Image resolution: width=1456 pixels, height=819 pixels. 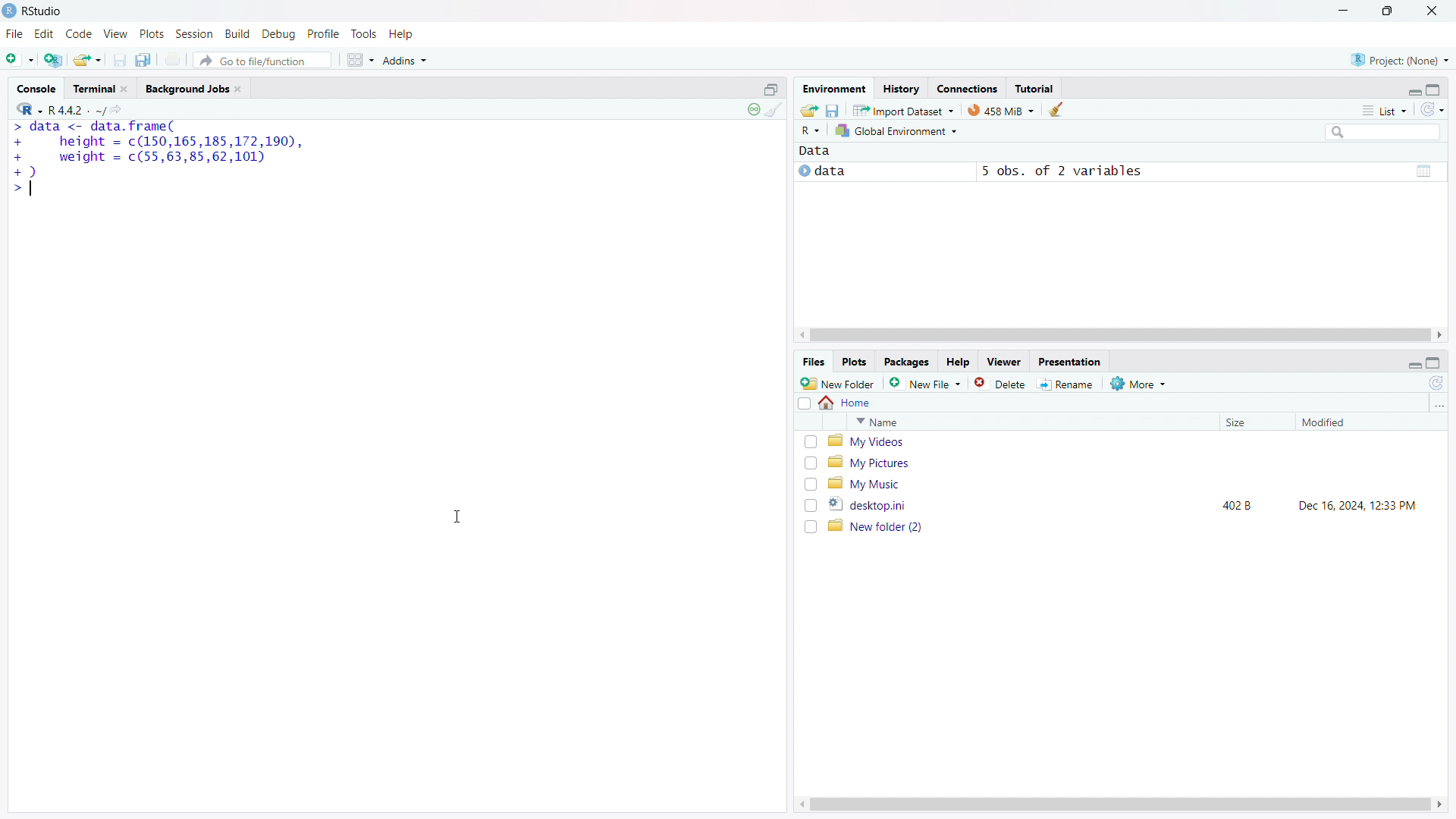 What do you see at coordinates (1400, 60) in the screenshot?
I see `select project` at bounding box center [1400, 60].